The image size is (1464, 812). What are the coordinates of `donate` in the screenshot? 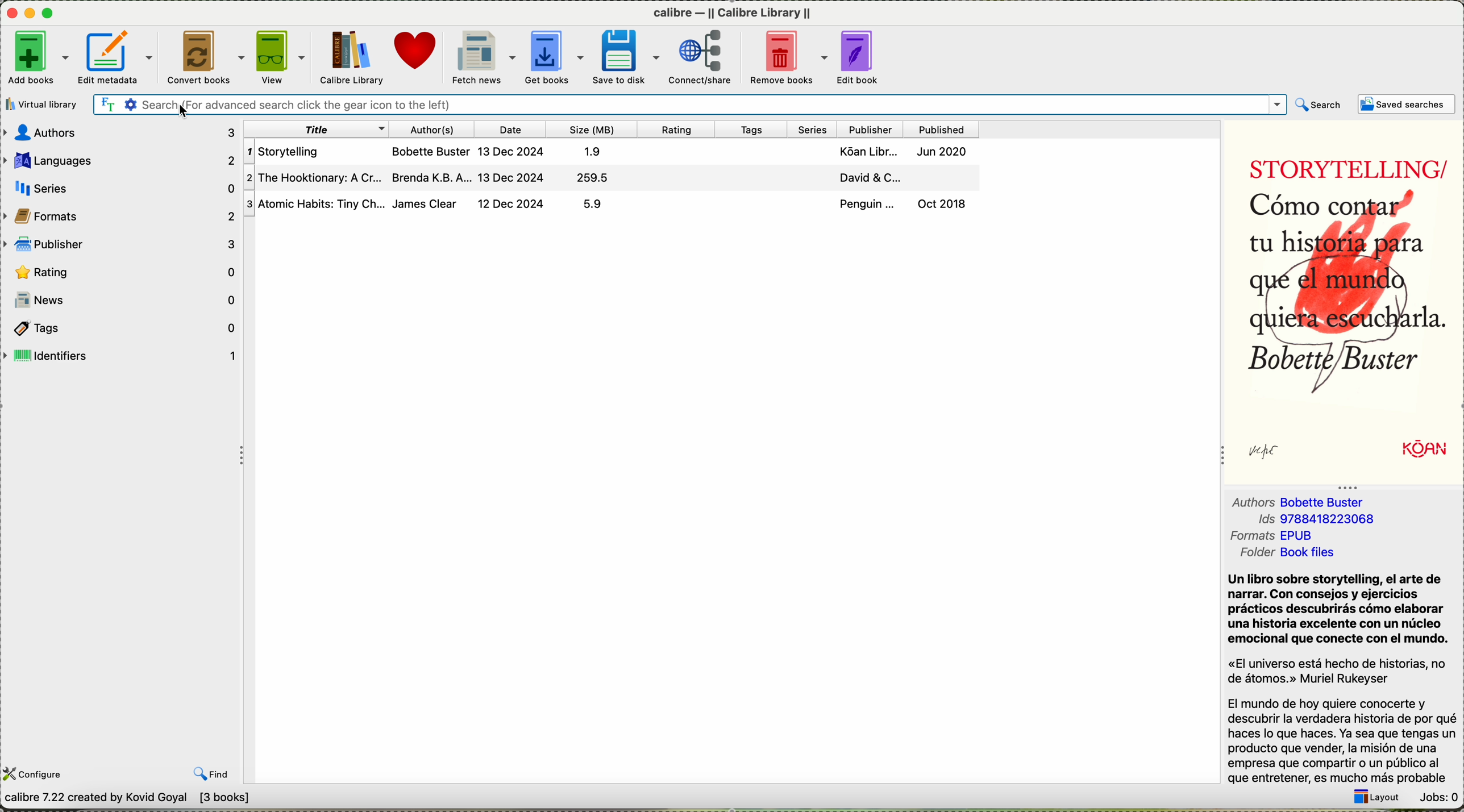 It's located at (418, 55).